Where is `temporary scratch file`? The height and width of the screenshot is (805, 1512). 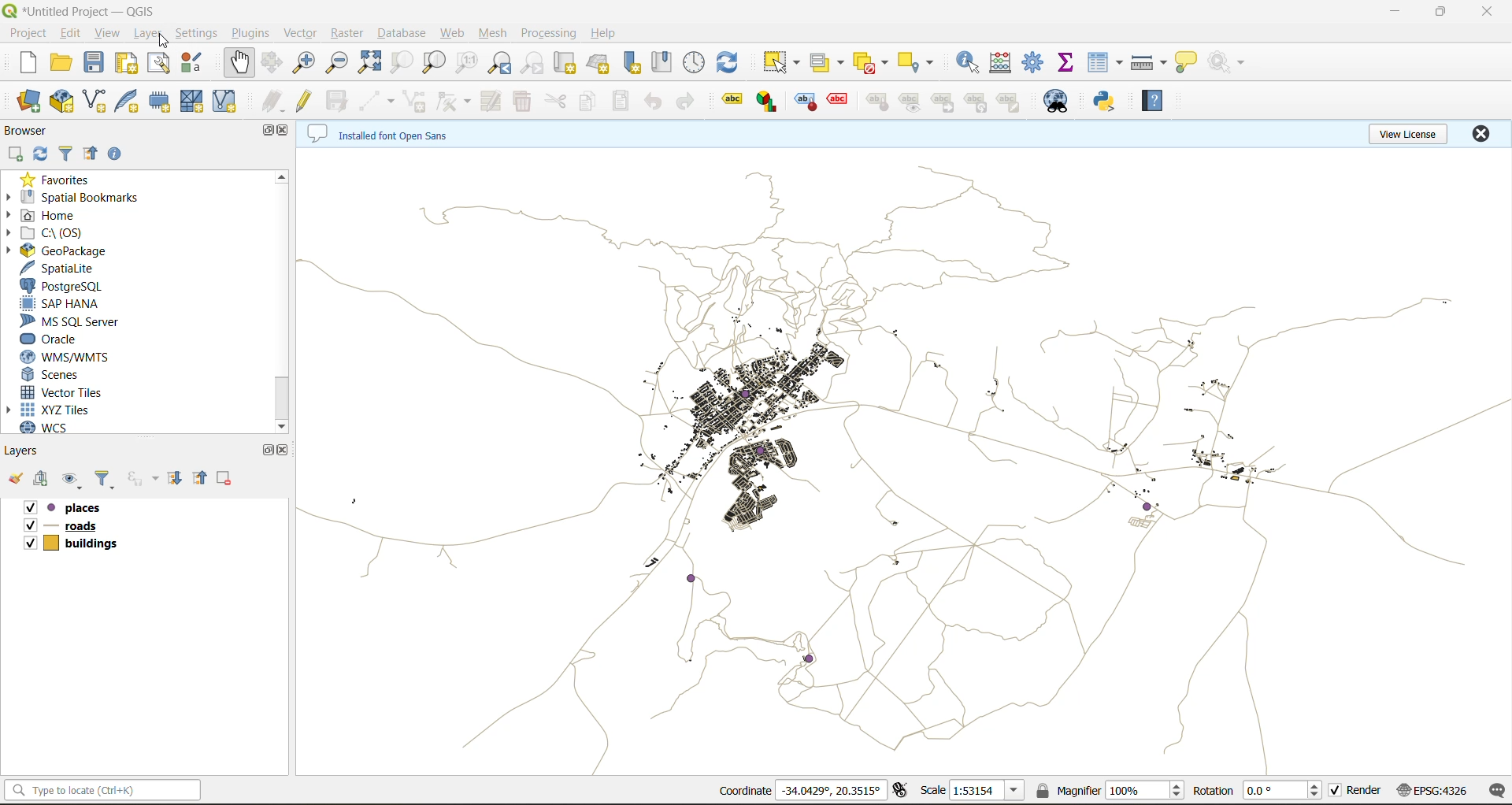
temporary scratch file is located at coordinates (160, 102).